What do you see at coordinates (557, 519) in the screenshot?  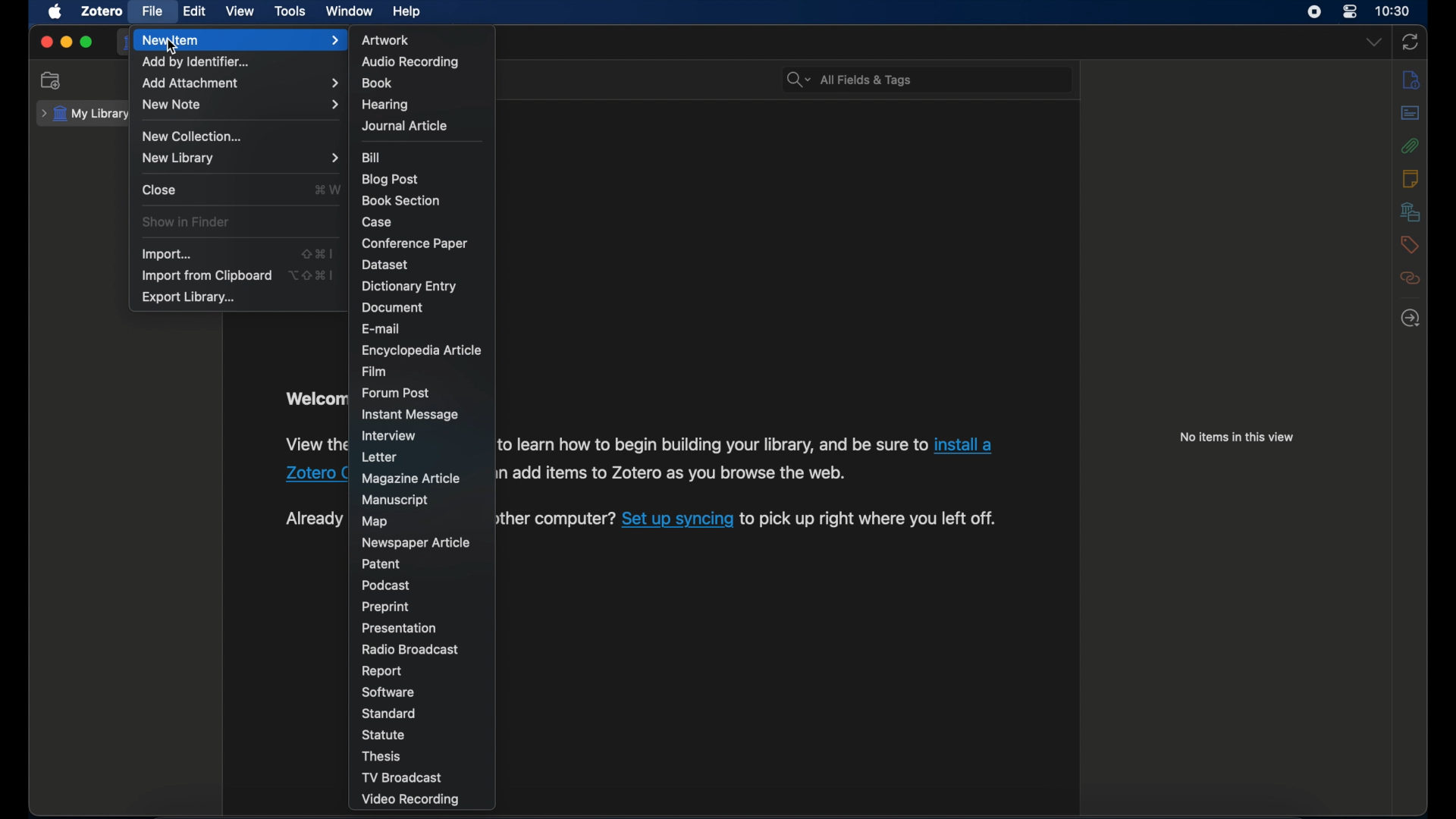 I see `text` at bounding box center [557, 519].